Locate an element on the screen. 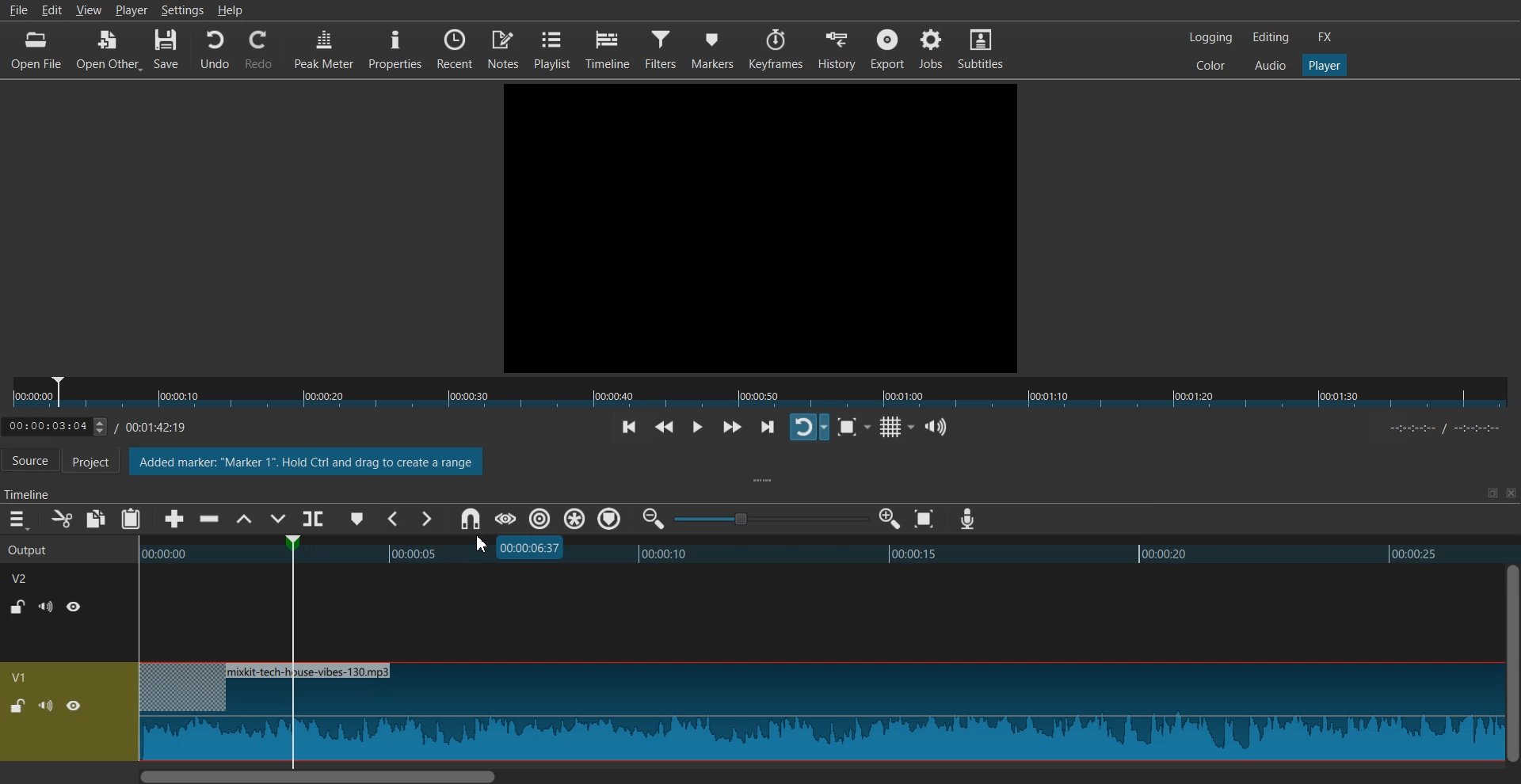 The image size is (1521, 784). Snap is located at coordinates (470, 519).